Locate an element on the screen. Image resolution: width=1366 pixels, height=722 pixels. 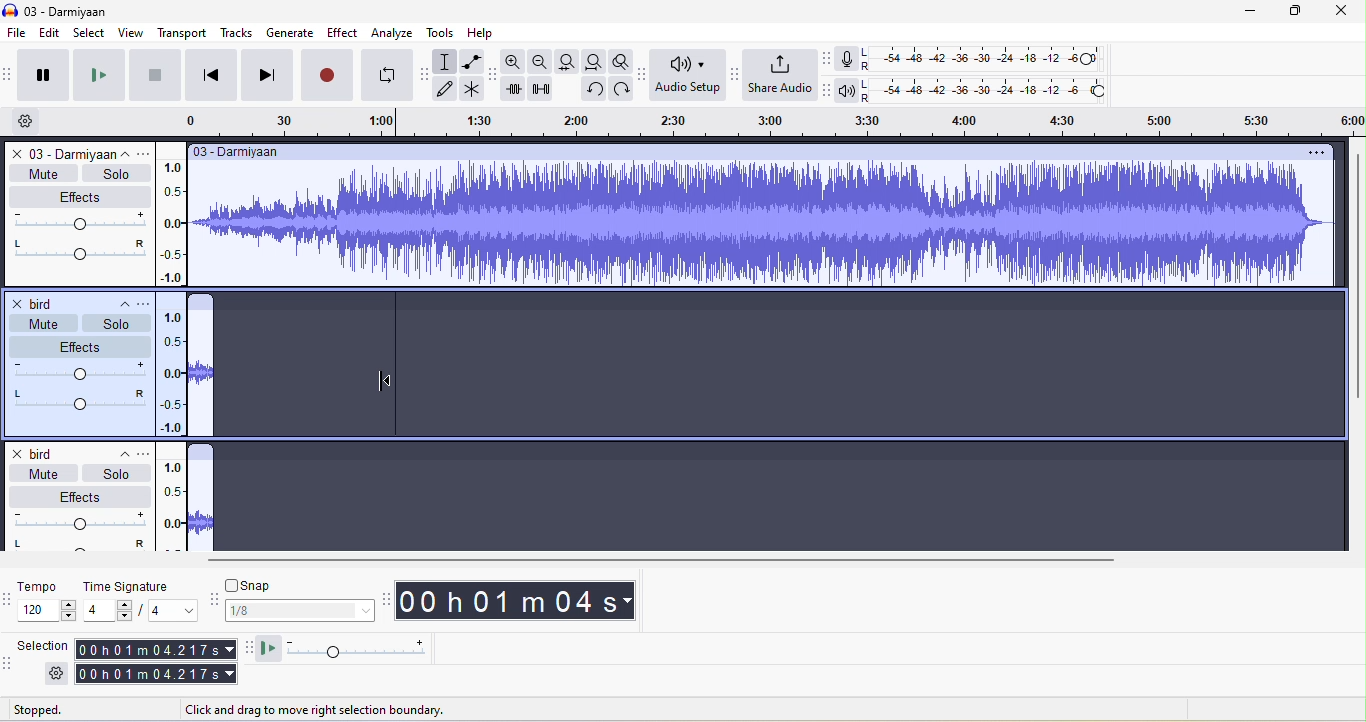
bird is located at coordinates (38, 303).